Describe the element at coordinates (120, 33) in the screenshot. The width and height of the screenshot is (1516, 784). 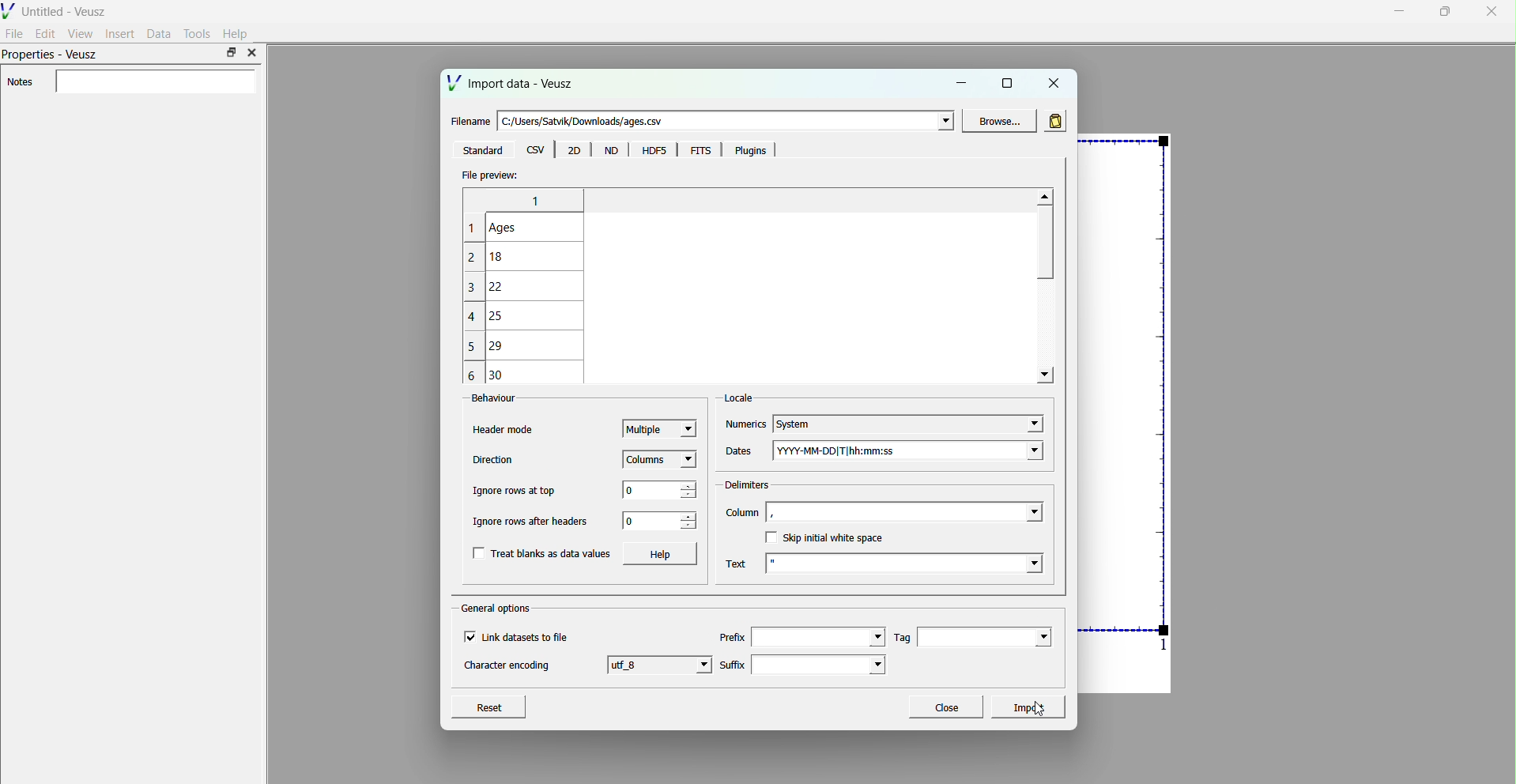
I see `Insert` at that location.